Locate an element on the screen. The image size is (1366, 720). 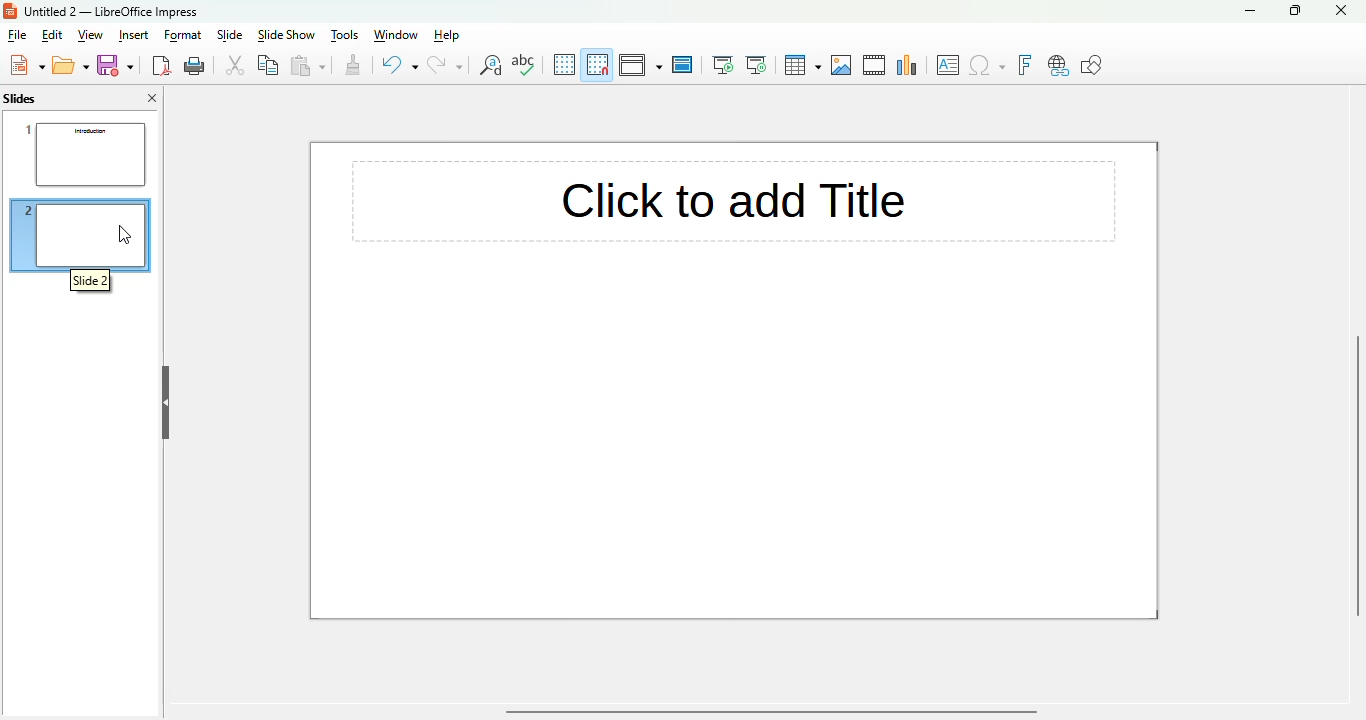
start from current slide is located at coordinates (756, 65).